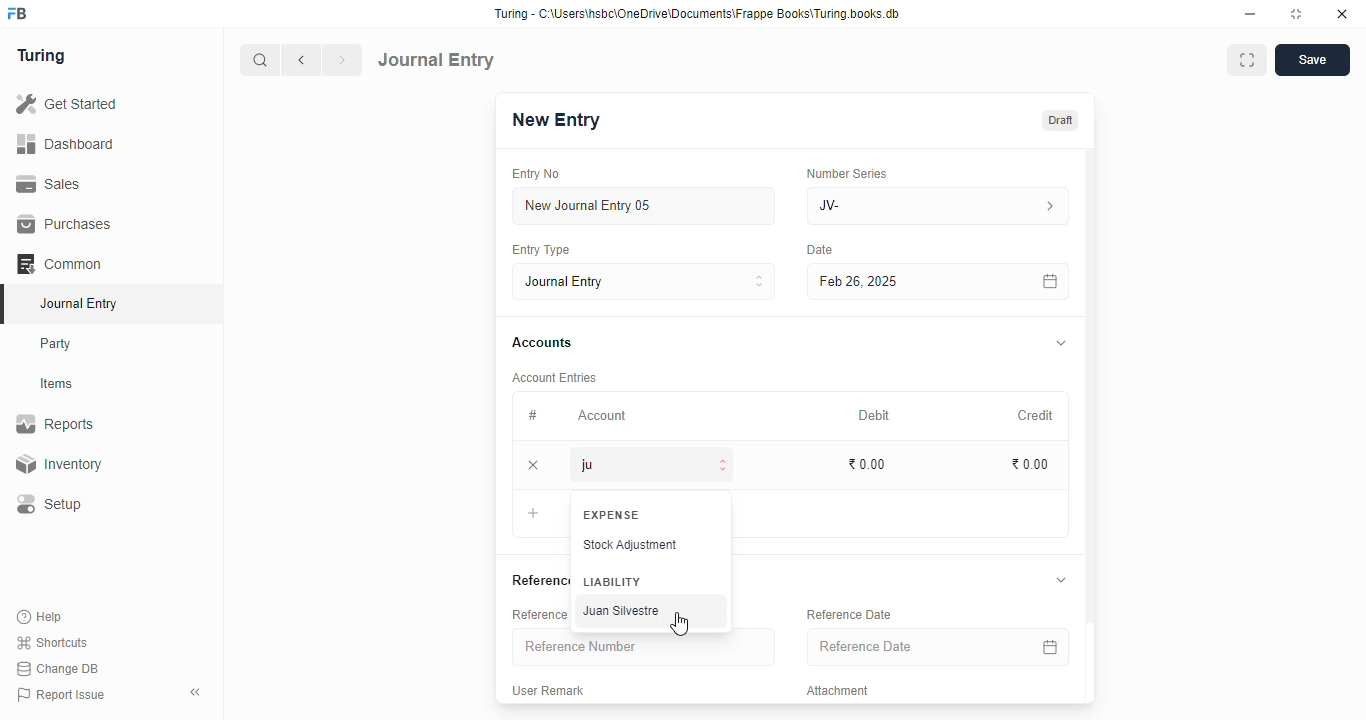  I want to click on journal entry, so click(437, 59).